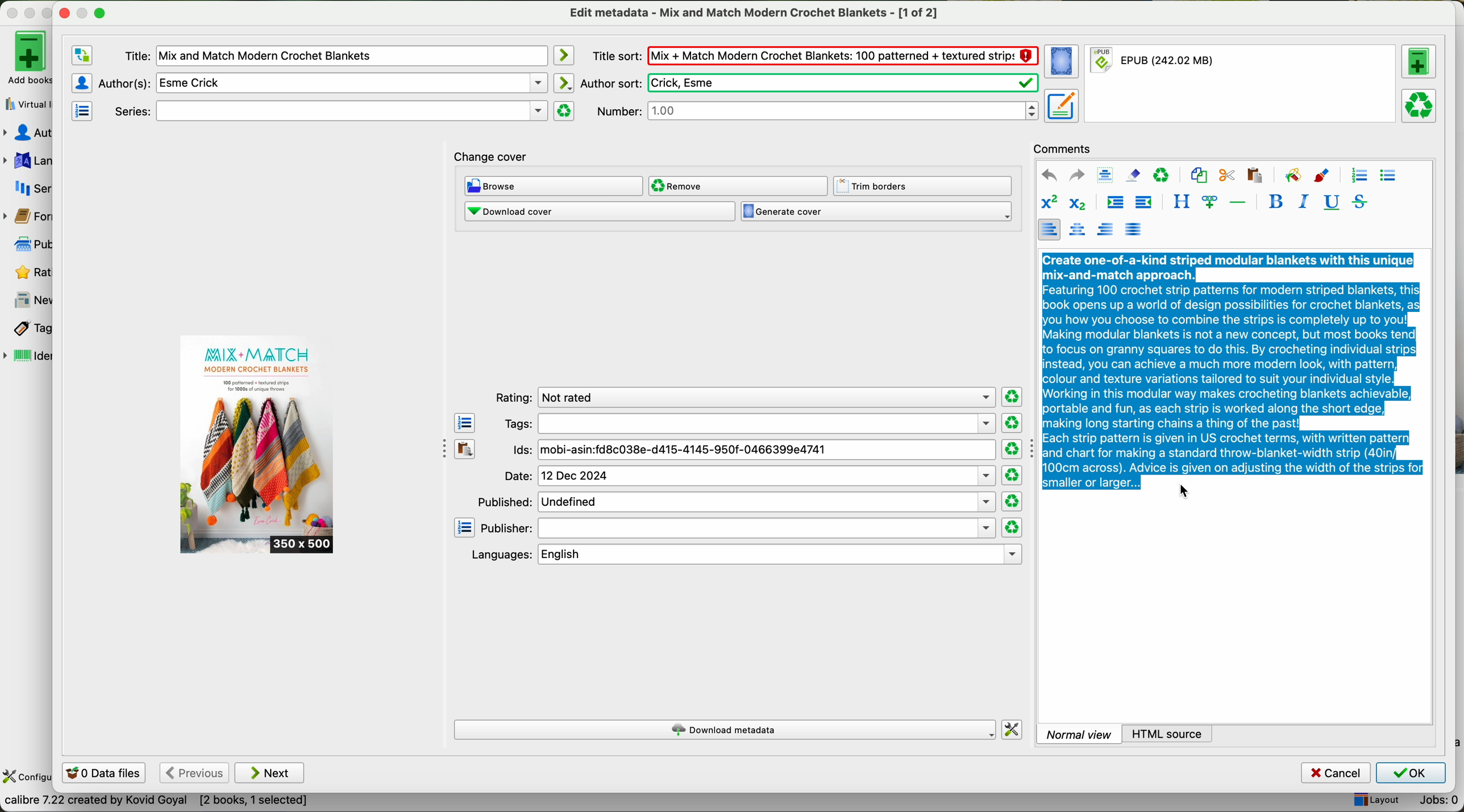 The width and height of the screenshot is (1464, 812). What do you see at coordinates (1106, 228) in the screenshot?
I see `align right` at bounding box center [1106, 228].